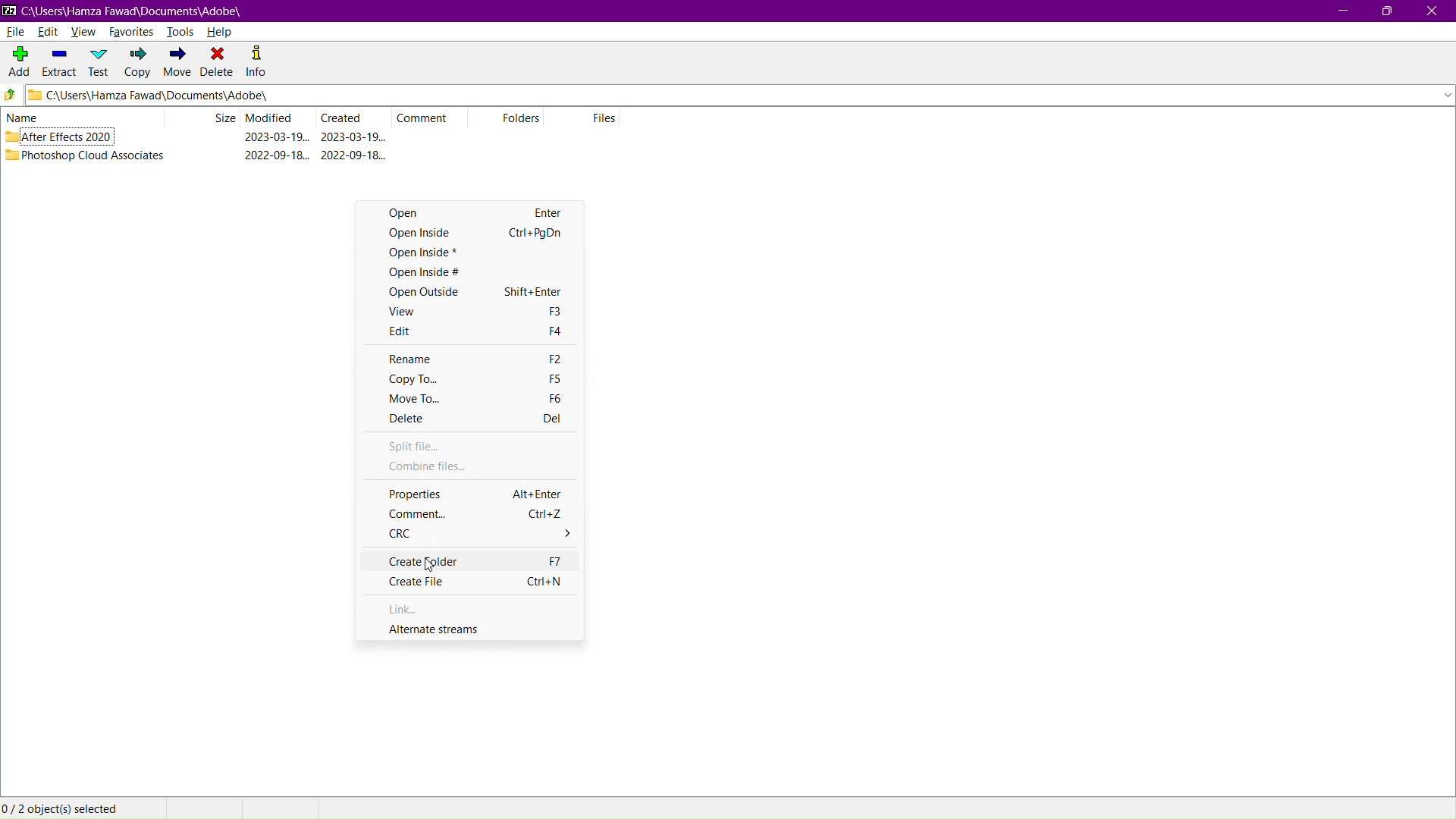  What do you see at coordinates (65, 808) in the screenshot?
I see `Objects selected` at bounding box center [65, 808].